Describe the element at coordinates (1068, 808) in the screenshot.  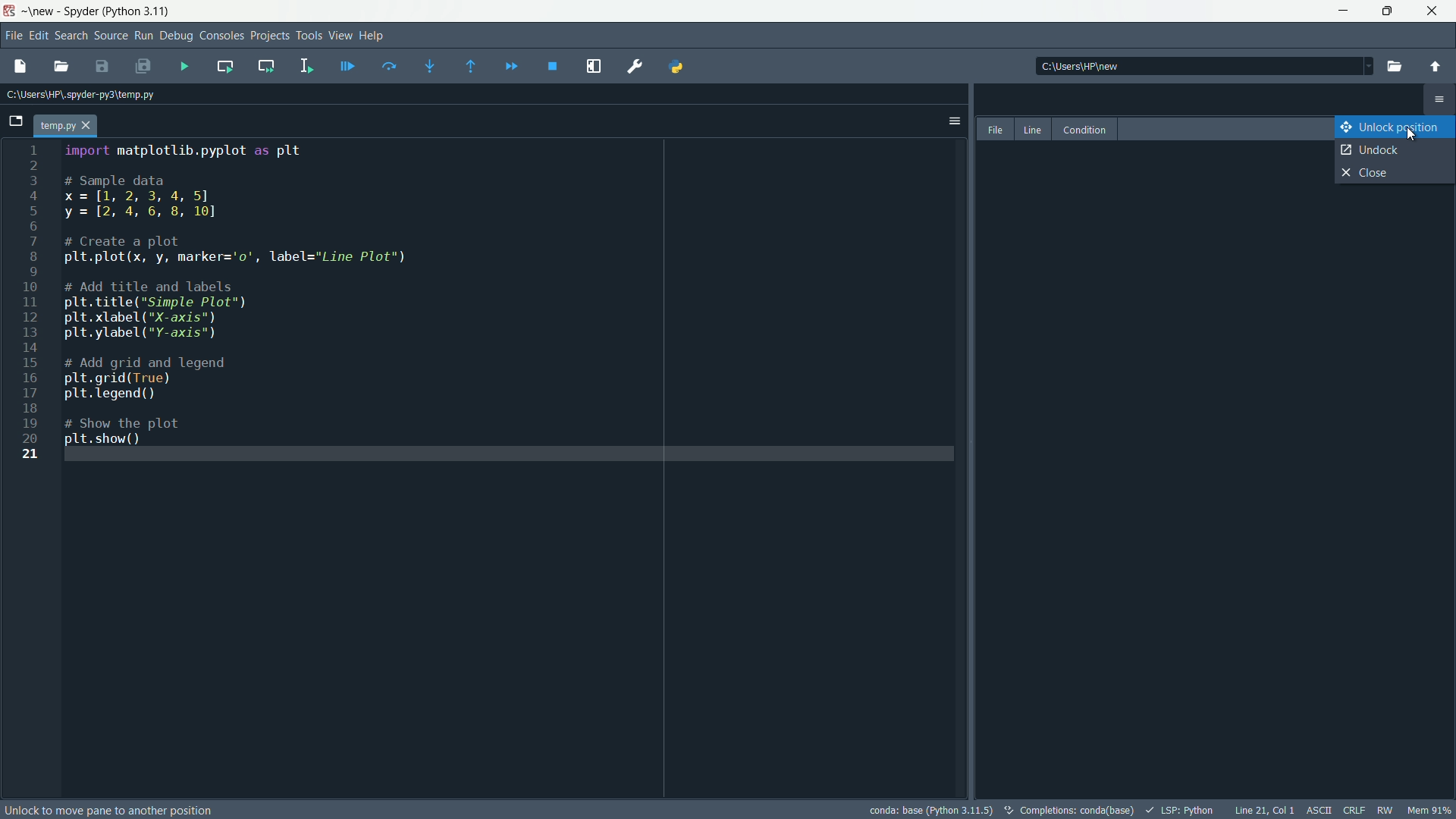
I see `©, completions: conda(base)` at that location.